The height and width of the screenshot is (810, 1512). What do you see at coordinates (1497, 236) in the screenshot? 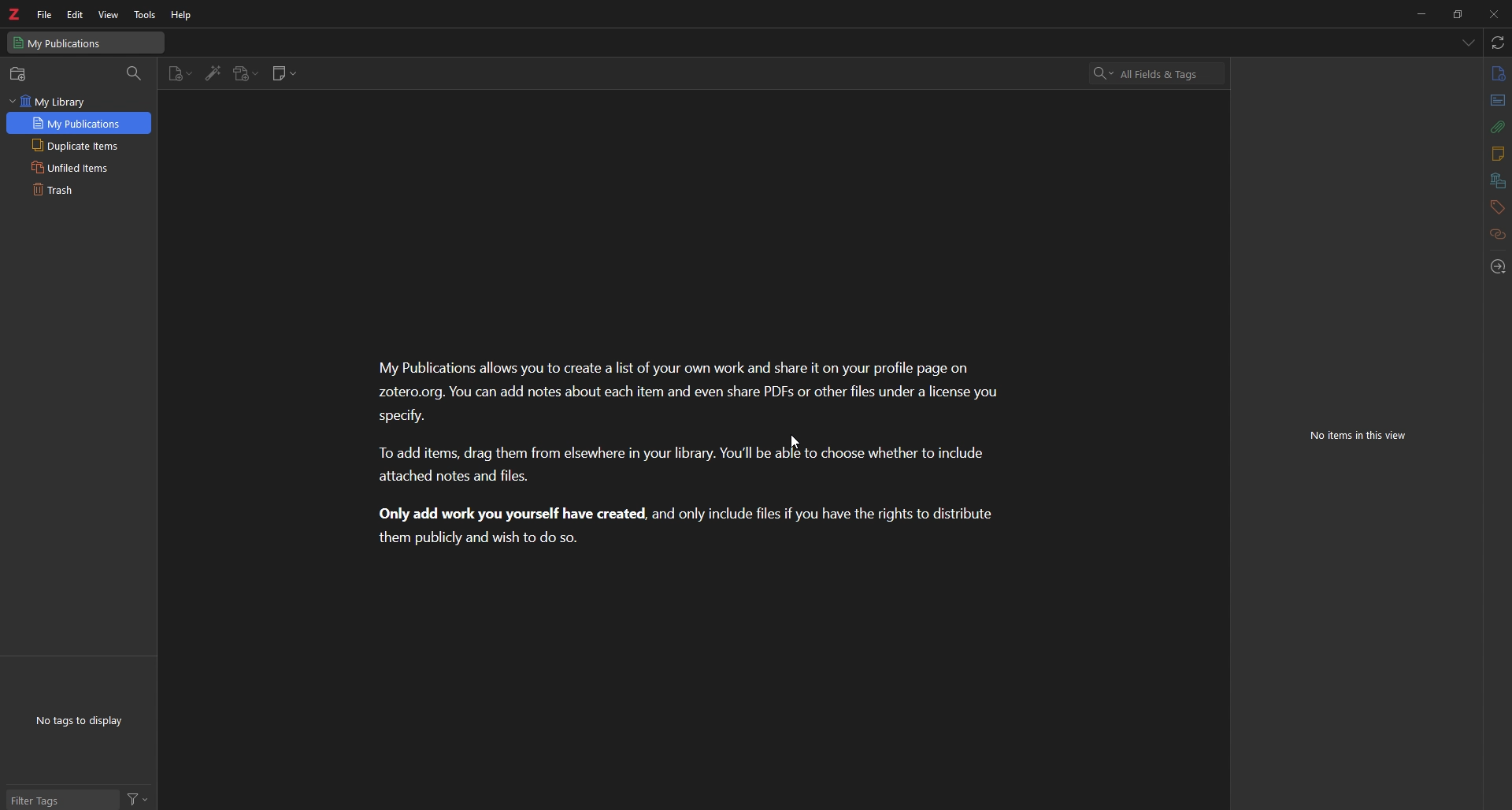
I see `Related` at bounding box center [1497, 236].